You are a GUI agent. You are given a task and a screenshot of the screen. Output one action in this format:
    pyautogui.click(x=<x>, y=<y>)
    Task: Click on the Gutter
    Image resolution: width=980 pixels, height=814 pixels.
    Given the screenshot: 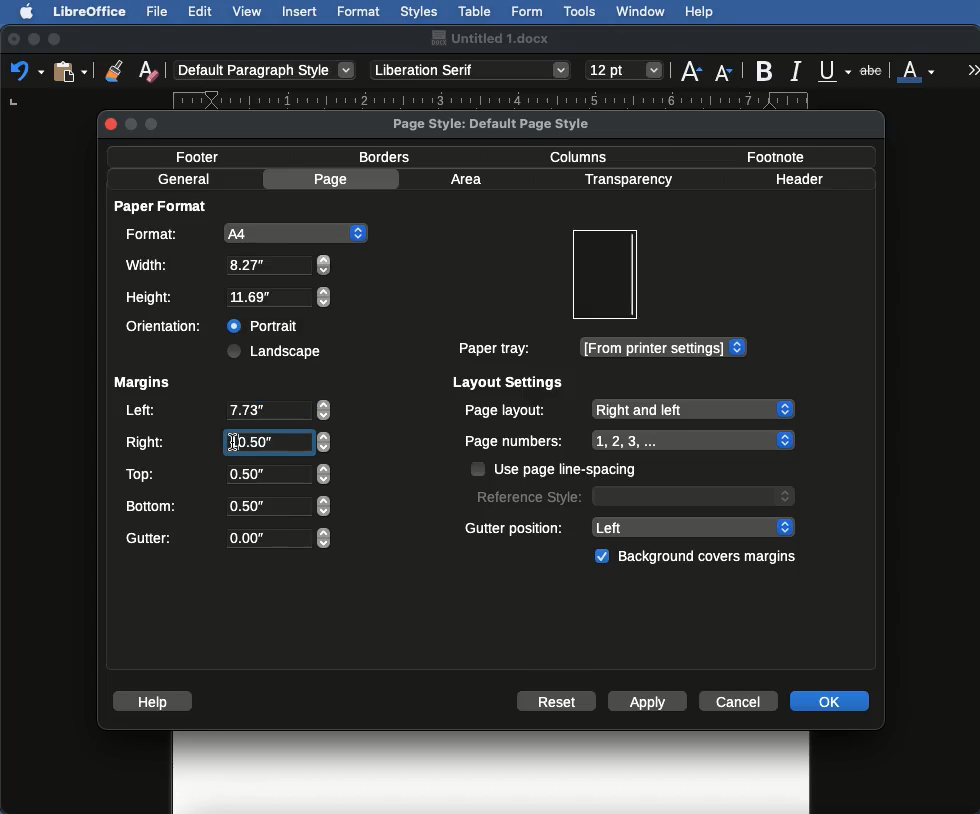 What is the action you would take?
    pyautogui.click(x=228, y=539)
    